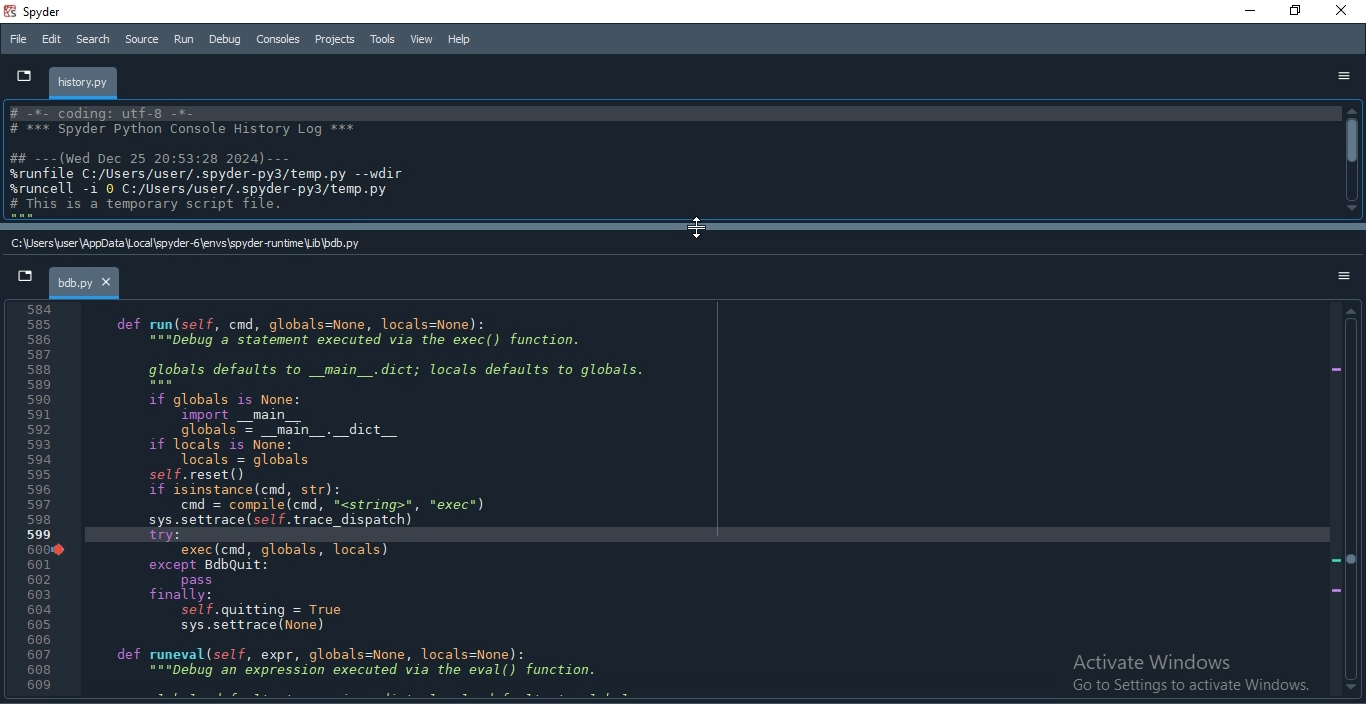 The width and height of the screenshot is (1366, 704). Describe the element at coordinates (383, 38) in the screenshot. I see `Tools` at that location.